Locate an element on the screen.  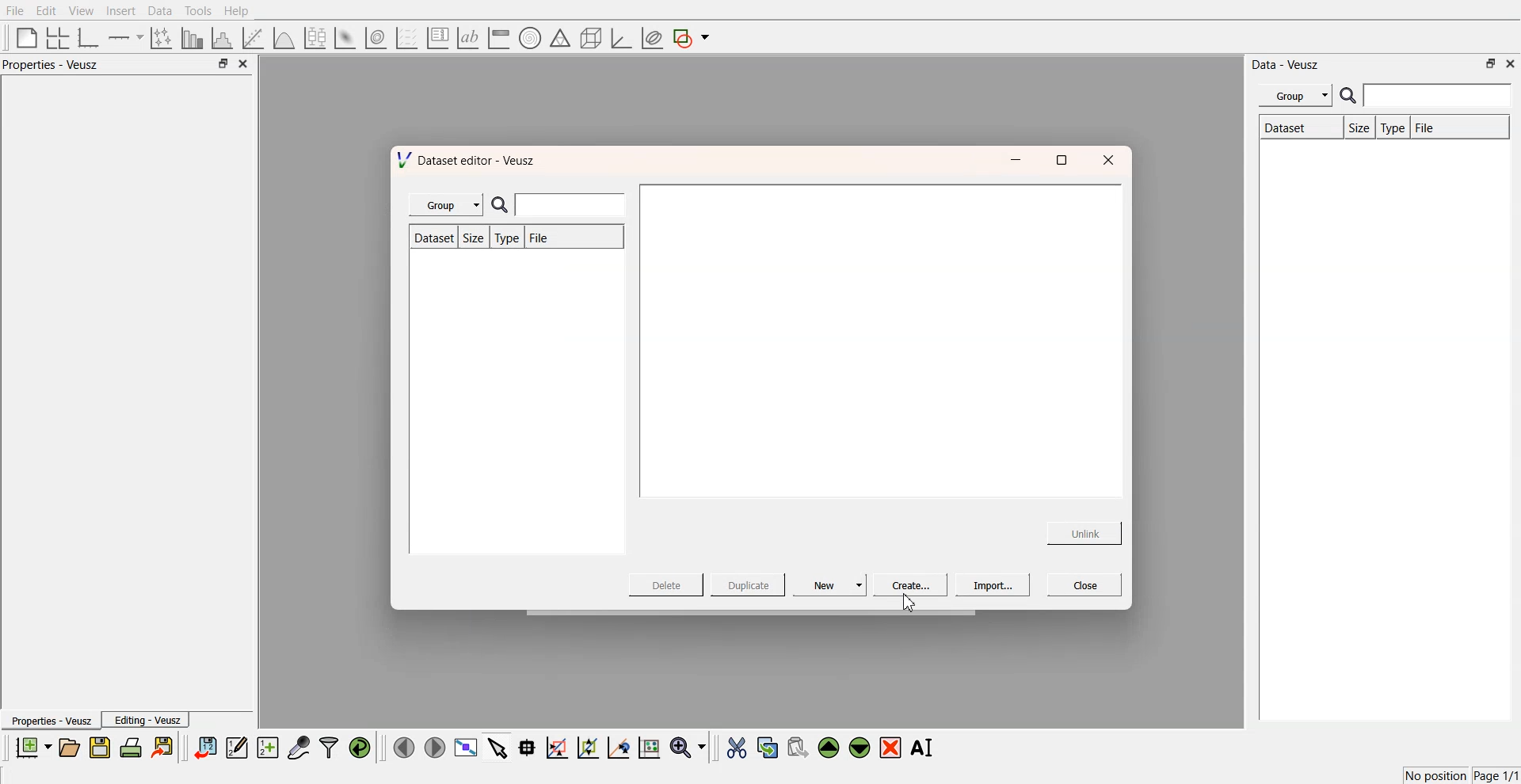
move left is located at coordinates (404, 747).